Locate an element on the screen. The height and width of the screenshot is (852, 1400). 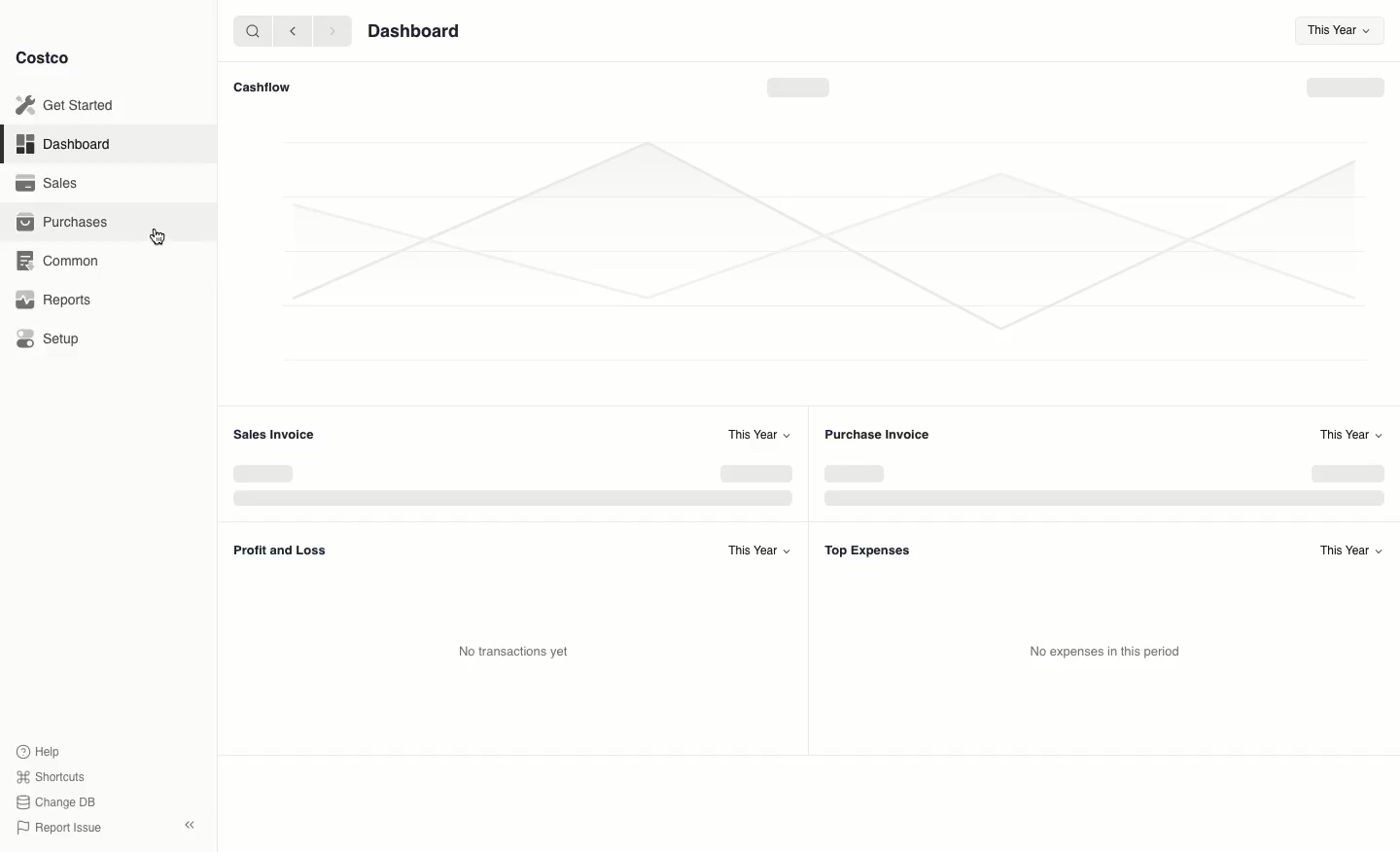
Back is located at coordinates (293, 30).